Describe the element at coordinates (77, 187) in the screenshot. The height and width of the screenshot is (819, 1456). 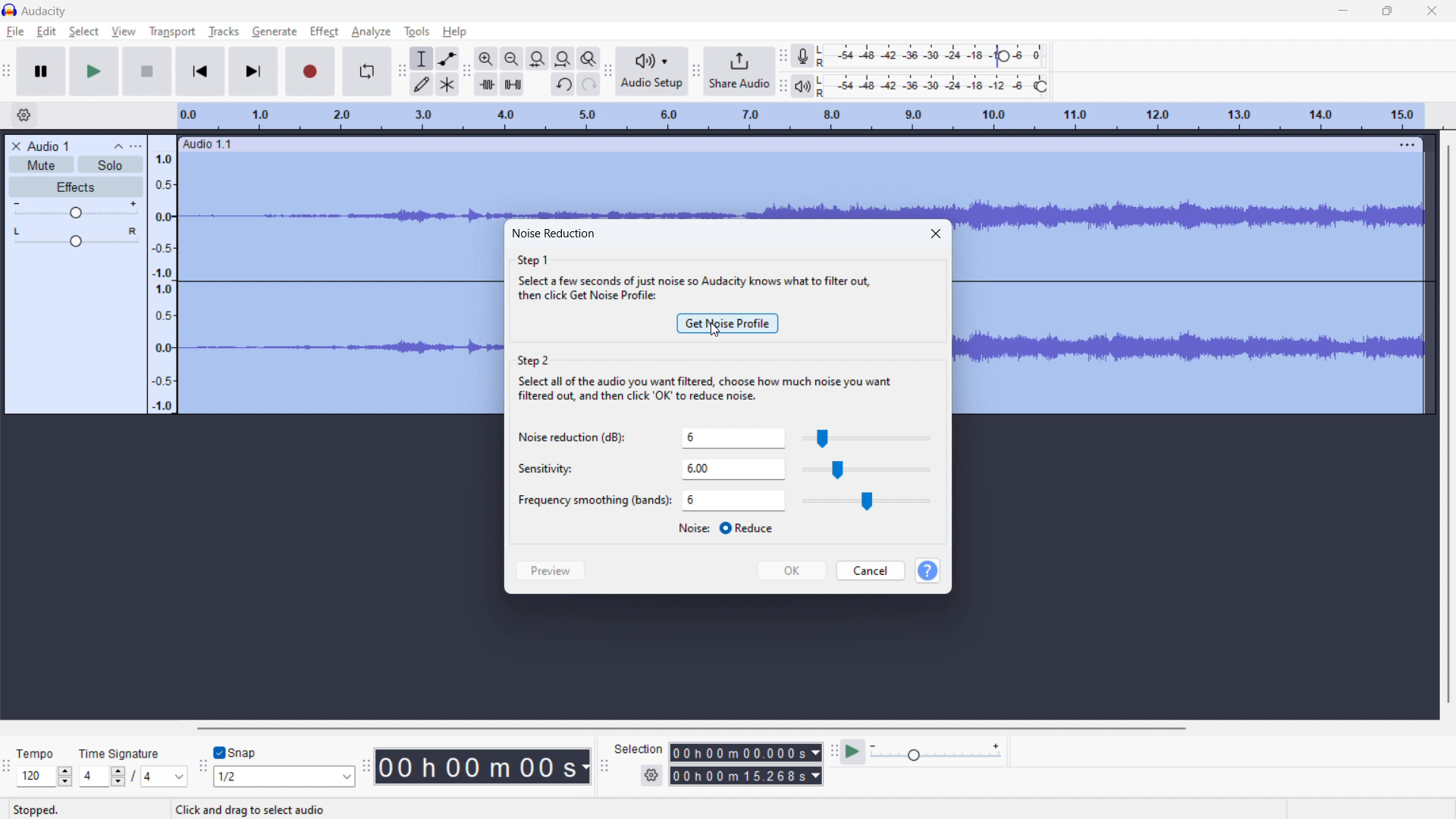
I see `effects` at that location.